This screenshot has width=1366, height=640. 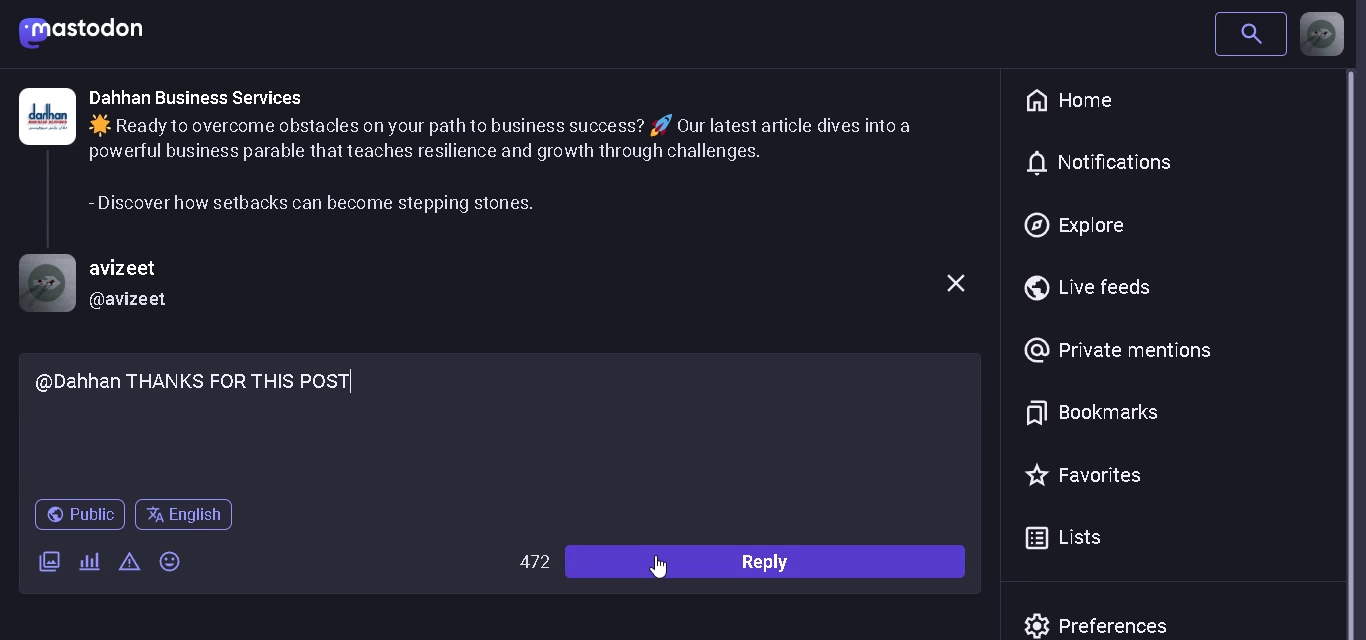 I want to click on emojis, so click(x=174, y=561).